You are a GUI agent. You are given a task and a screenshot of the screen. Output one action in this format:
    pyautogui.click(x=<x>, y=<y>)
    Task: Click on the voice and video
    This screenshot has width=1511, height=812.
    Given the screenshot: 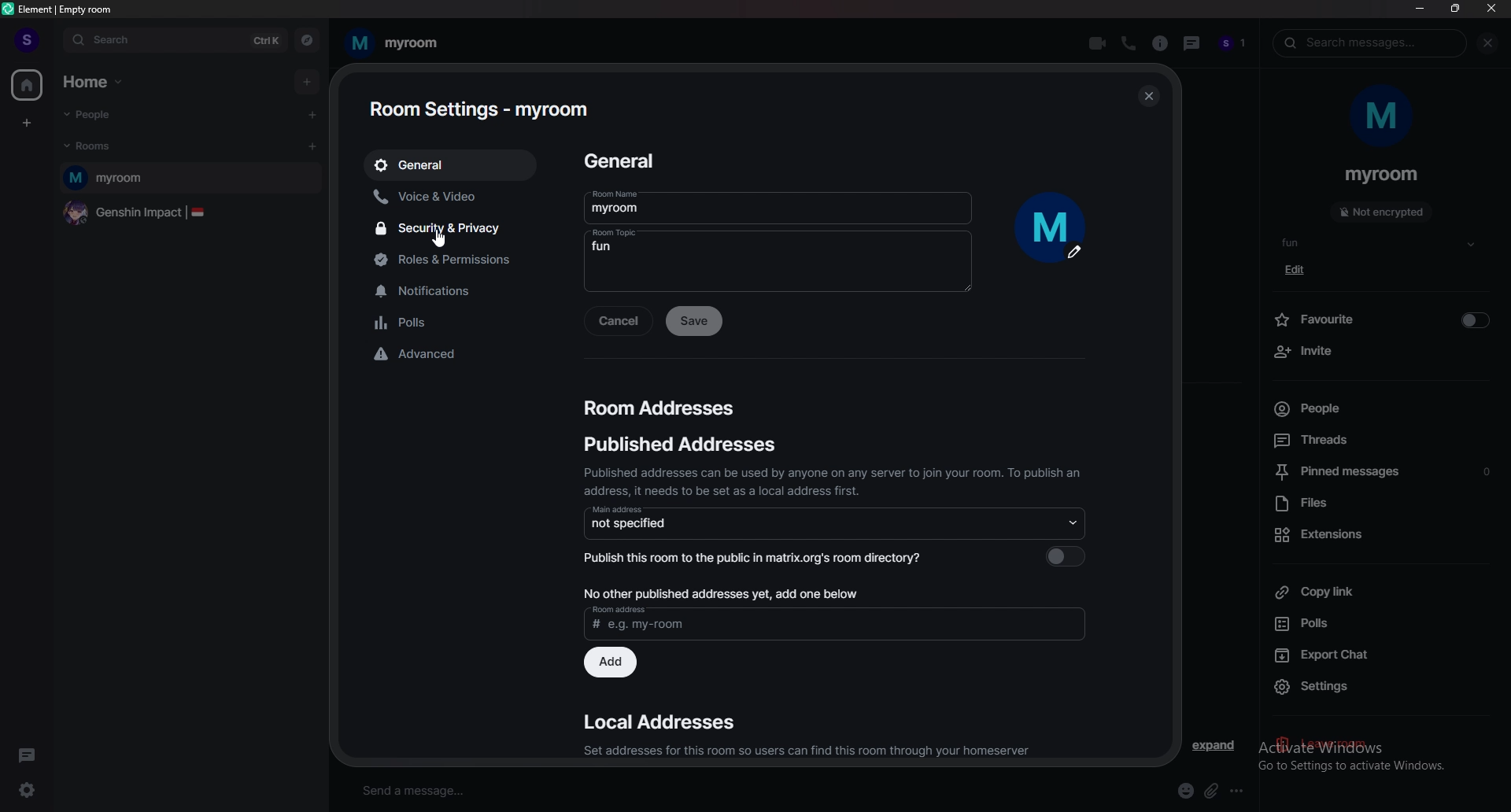 What is the action you would take?
    pyautogui.click(x=442, y=198)
    